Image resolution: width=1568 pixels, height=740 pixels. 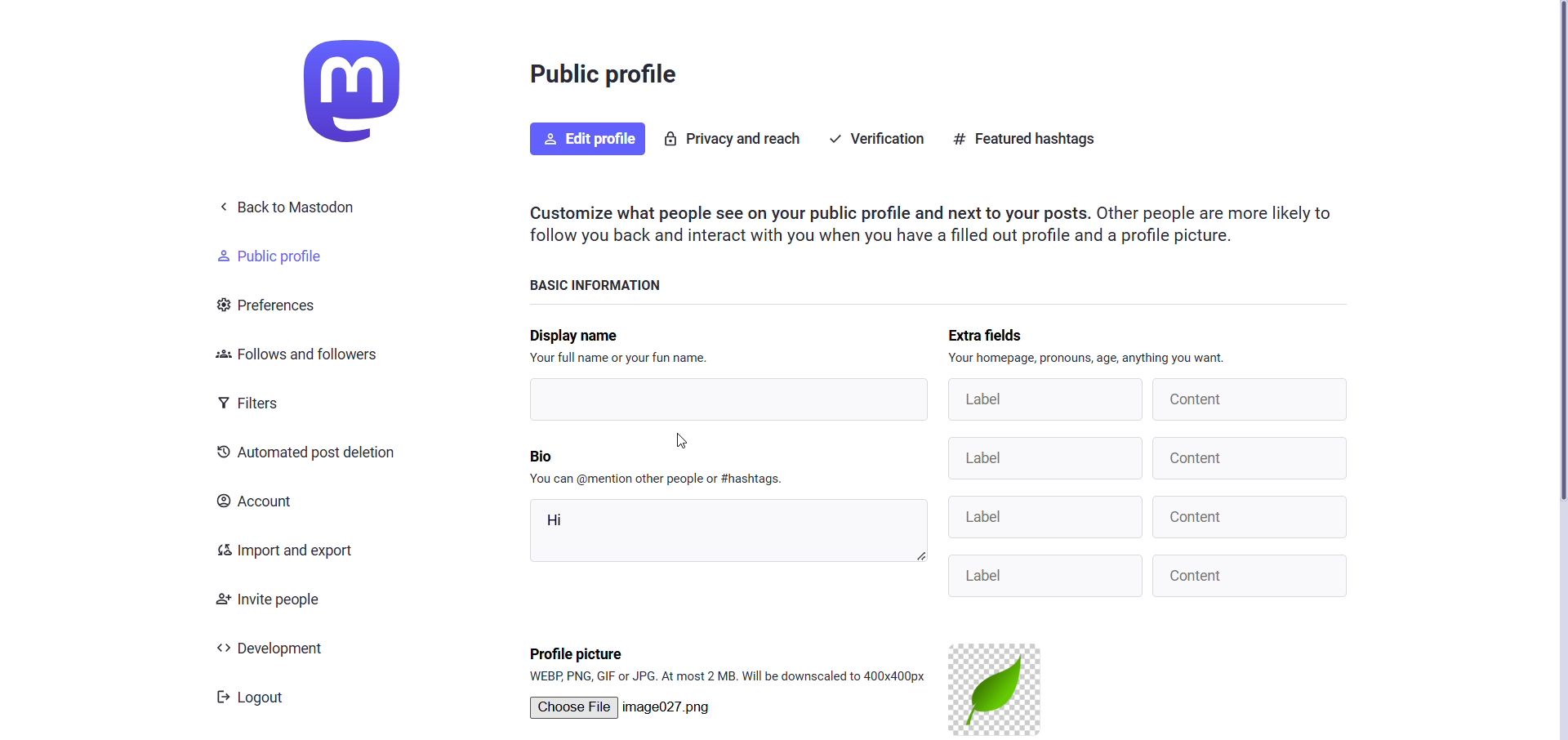 I want to click on profile picture, so click(x=577, y=651).